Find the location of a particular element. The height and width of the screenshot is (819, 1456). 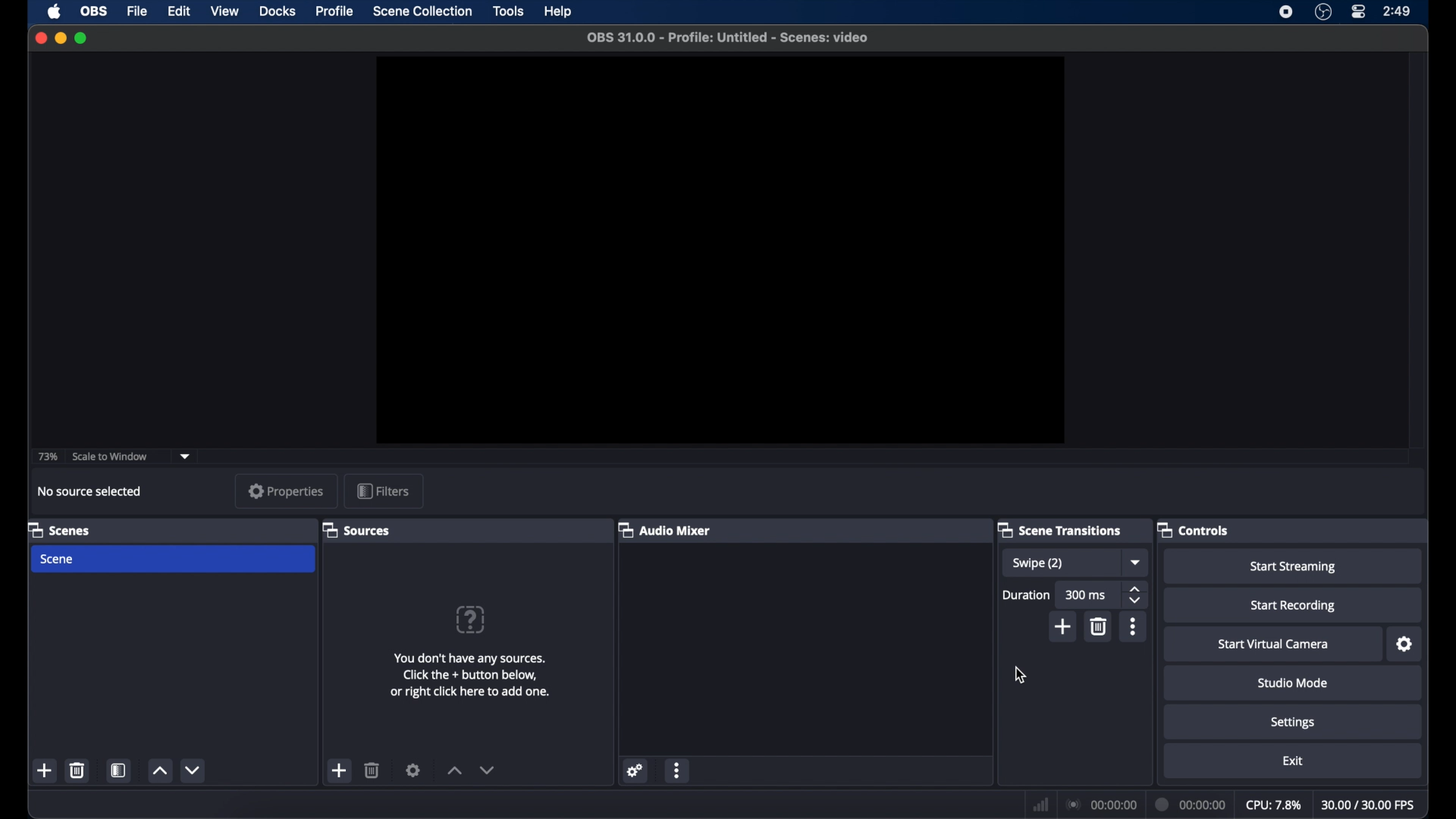

audio mixer is located at coordinates (665, 529).